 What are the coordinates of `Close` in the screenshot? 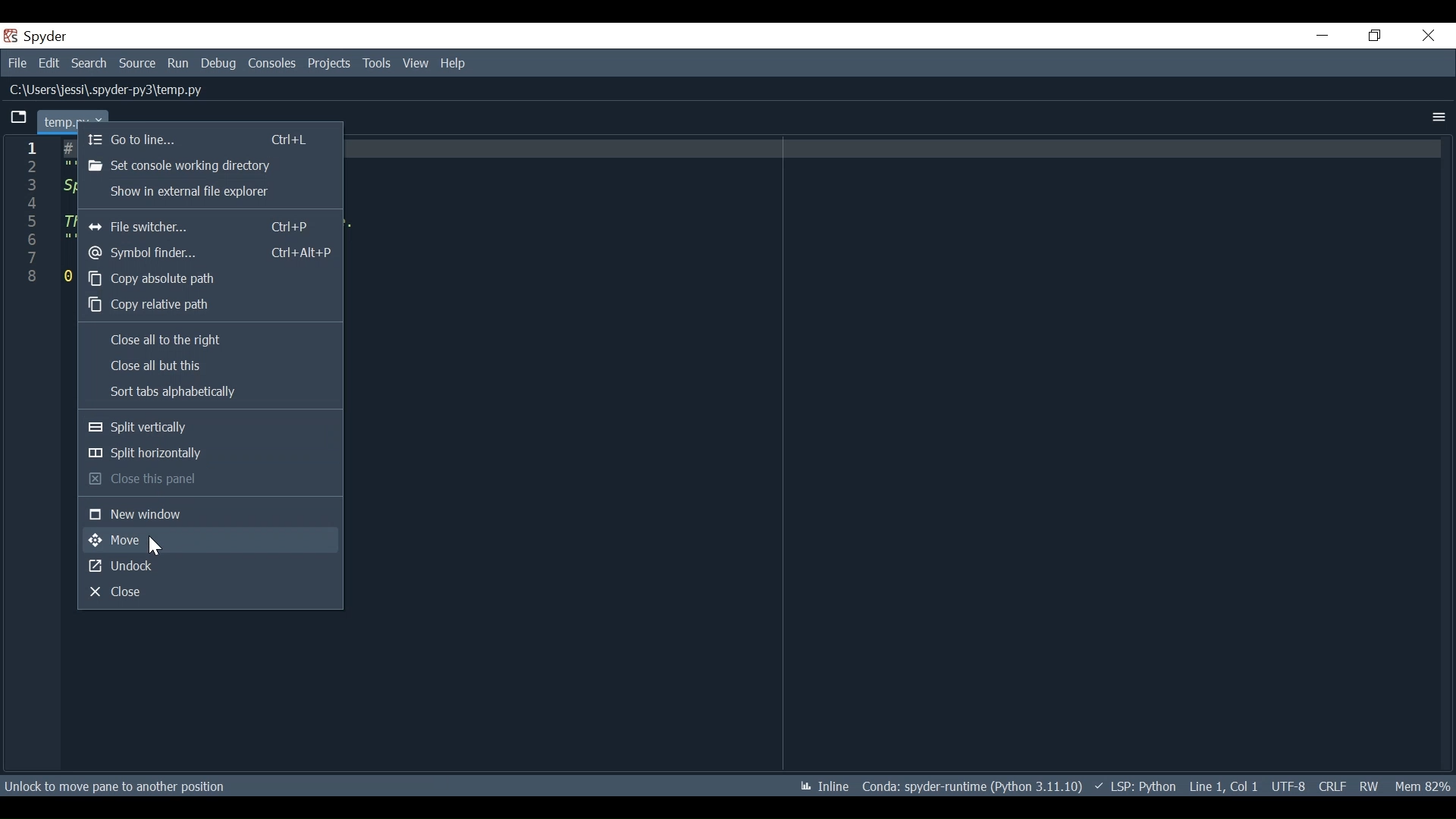 It's located at (1430, 35).